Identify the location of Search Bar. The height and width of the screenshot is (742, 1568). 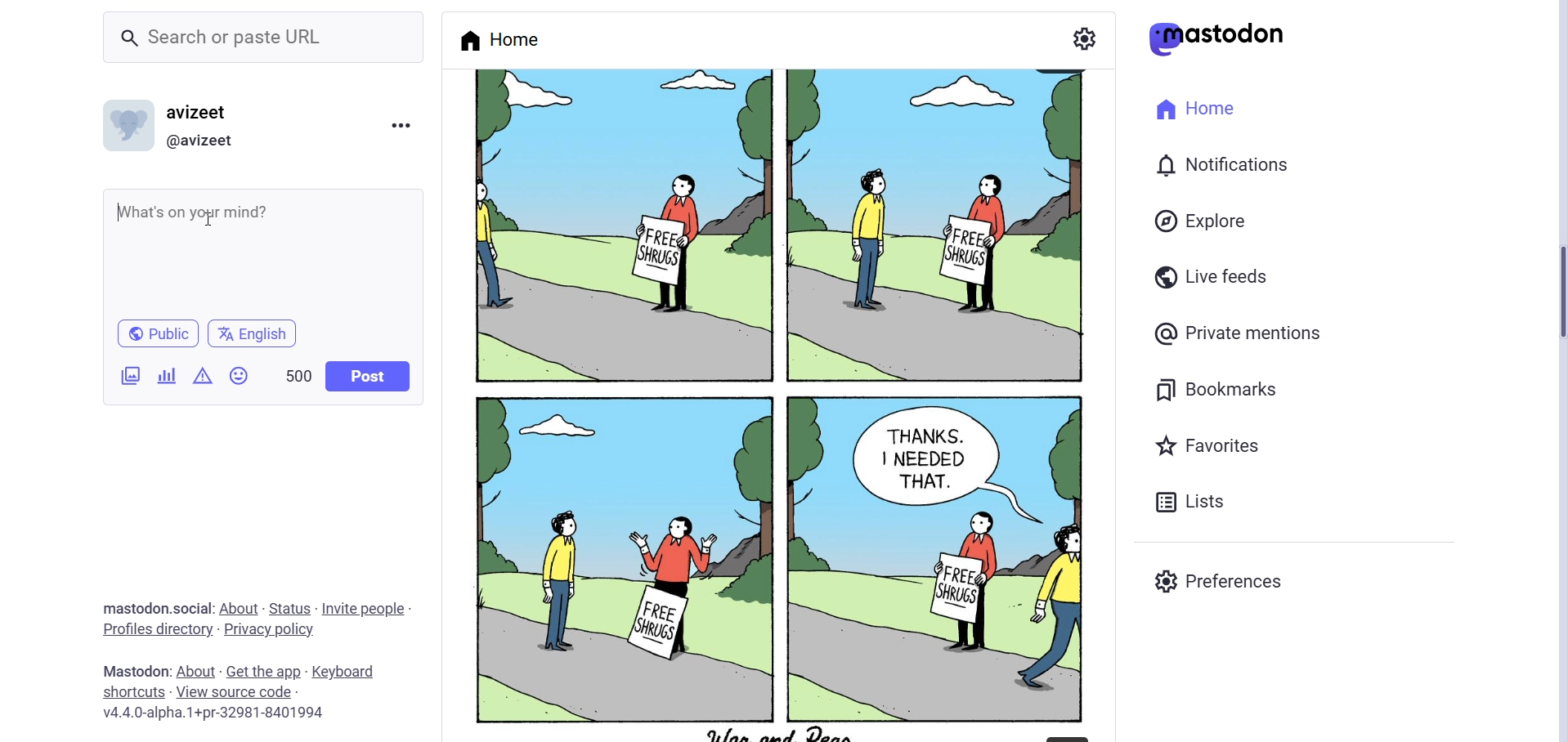
(263, 40).